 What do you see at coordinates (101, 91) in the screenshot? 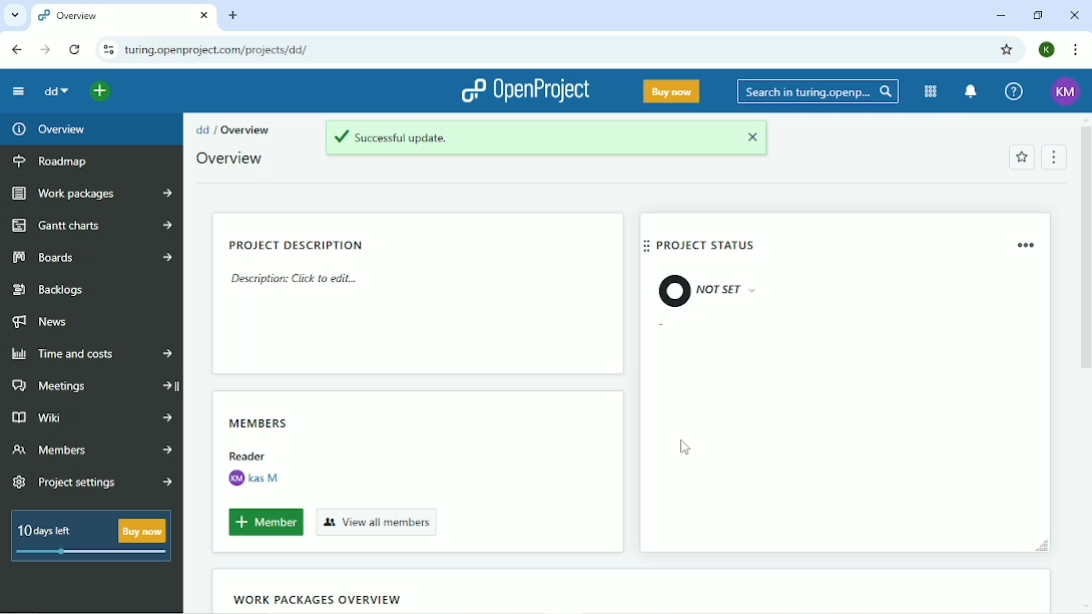
I see `Open quick add menu` at bounding box center [101, 91].